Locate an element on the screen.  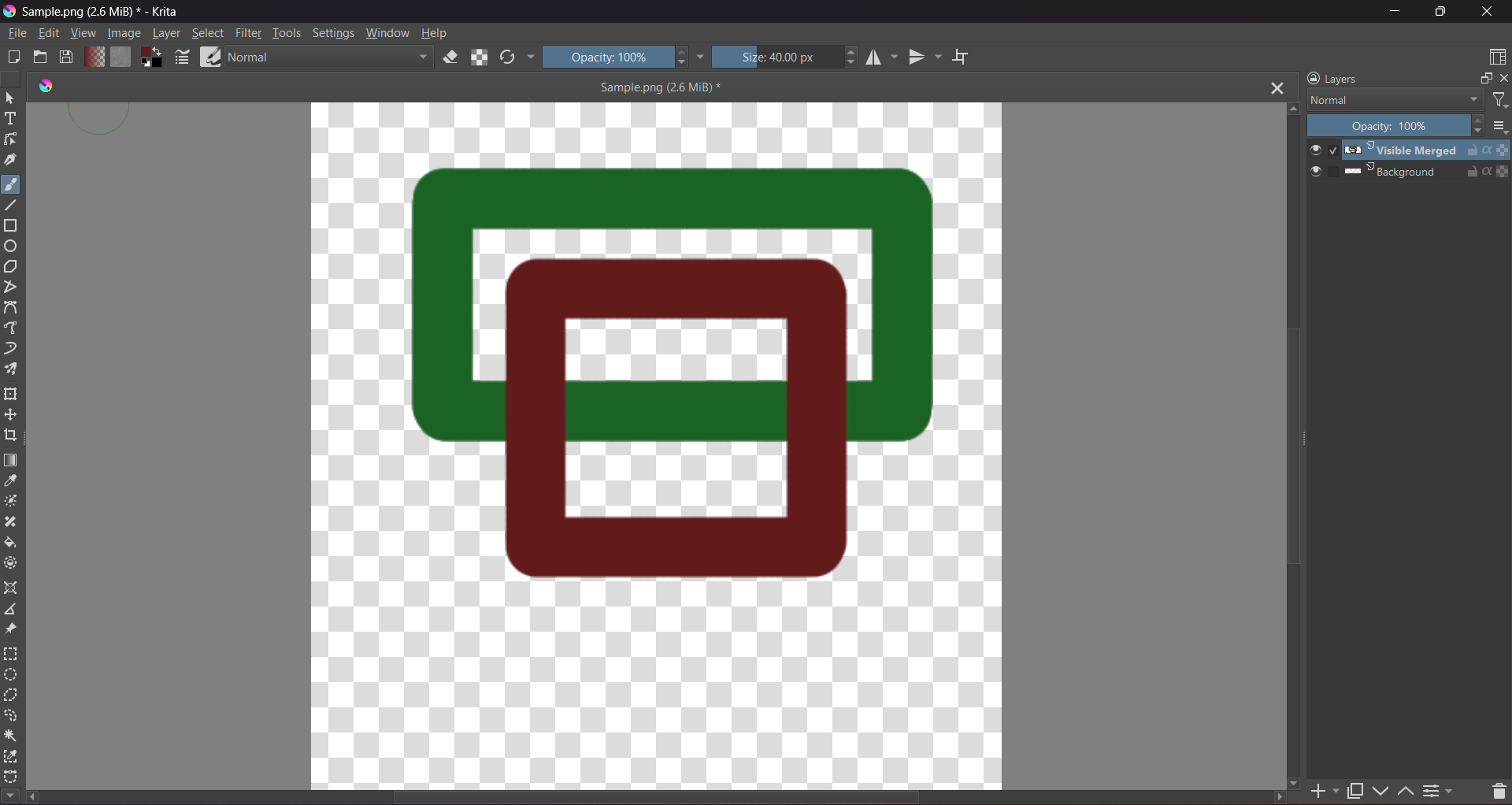
Swap Foreground and Background Color is located at coordinates (151, 57).